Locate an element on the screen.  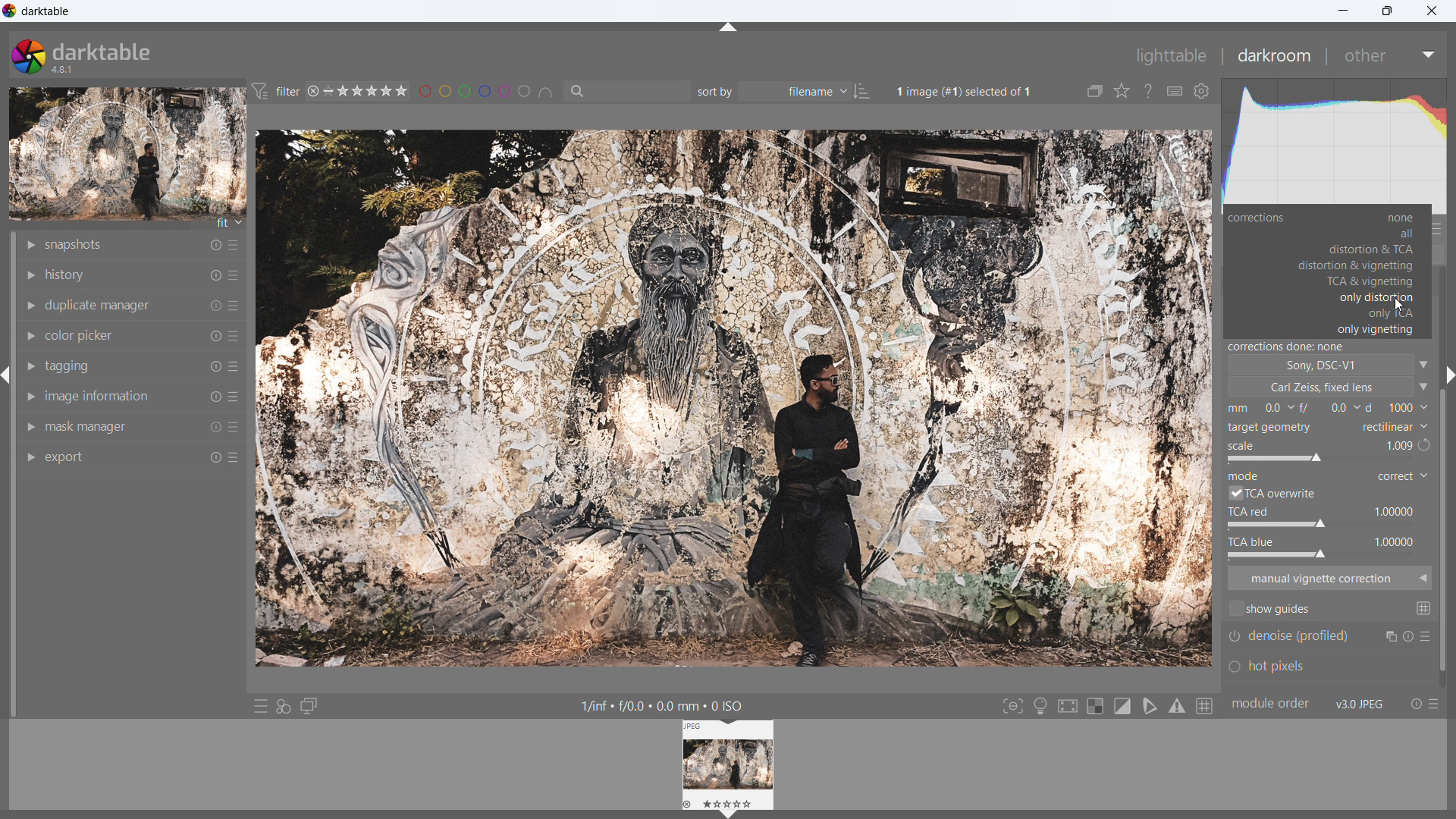
manual vignette correction is located at coordinates (1329, 579).